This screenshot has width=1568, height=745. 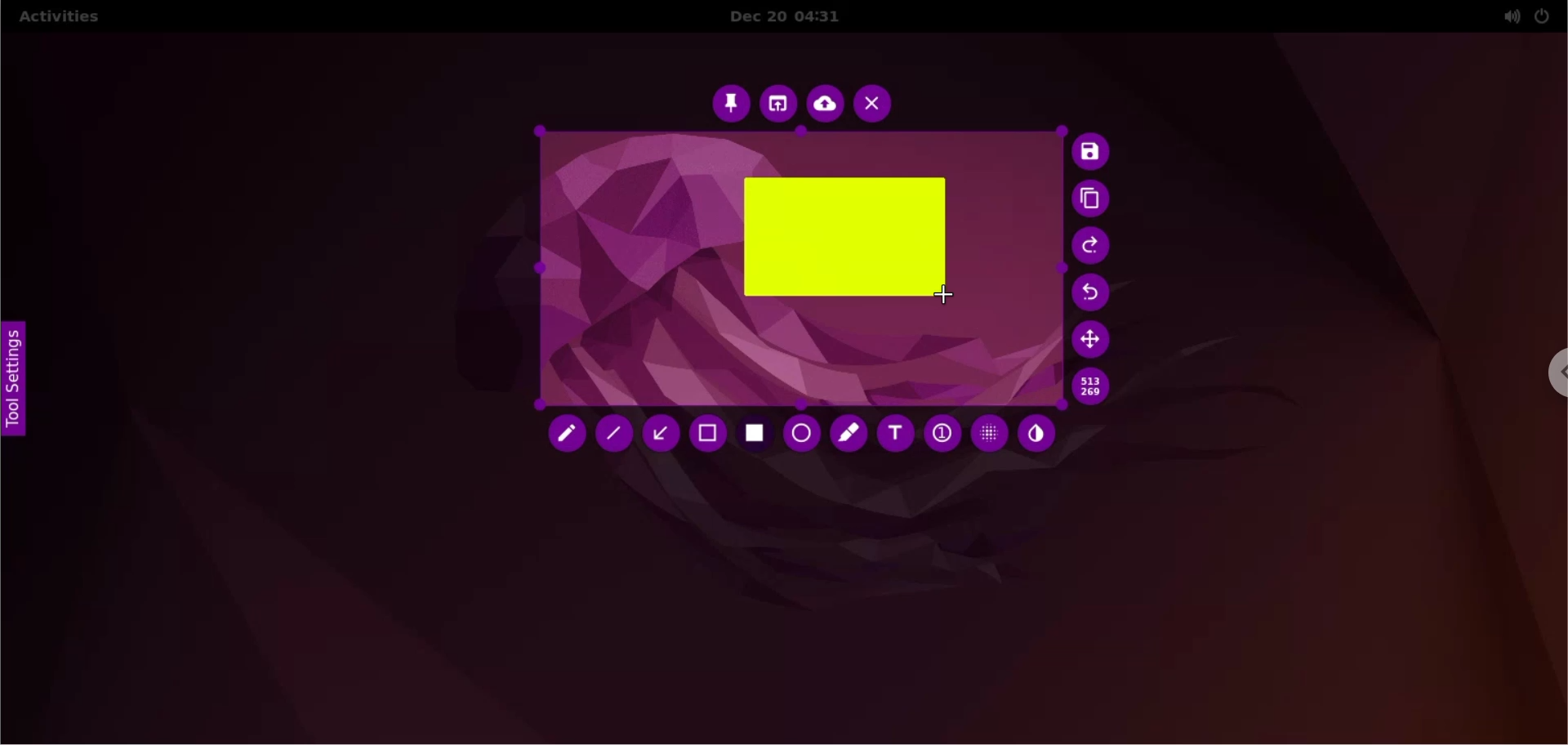 What do you see at coordinates (1091, 247) in the screenshot?
I see `redo` at bounding box center [1091, 247].